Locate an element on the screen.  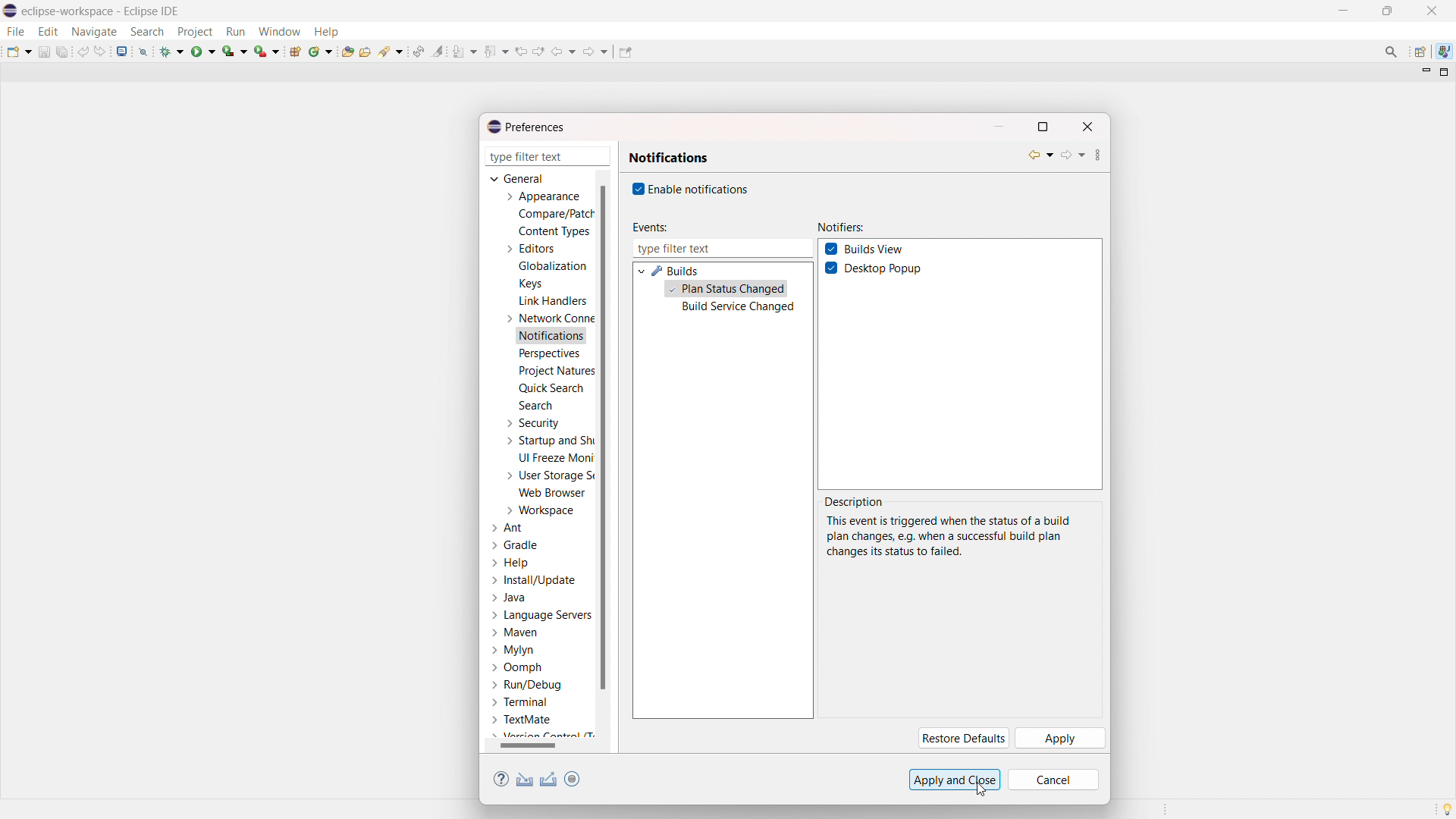
java is located at coordinates (510, 598).